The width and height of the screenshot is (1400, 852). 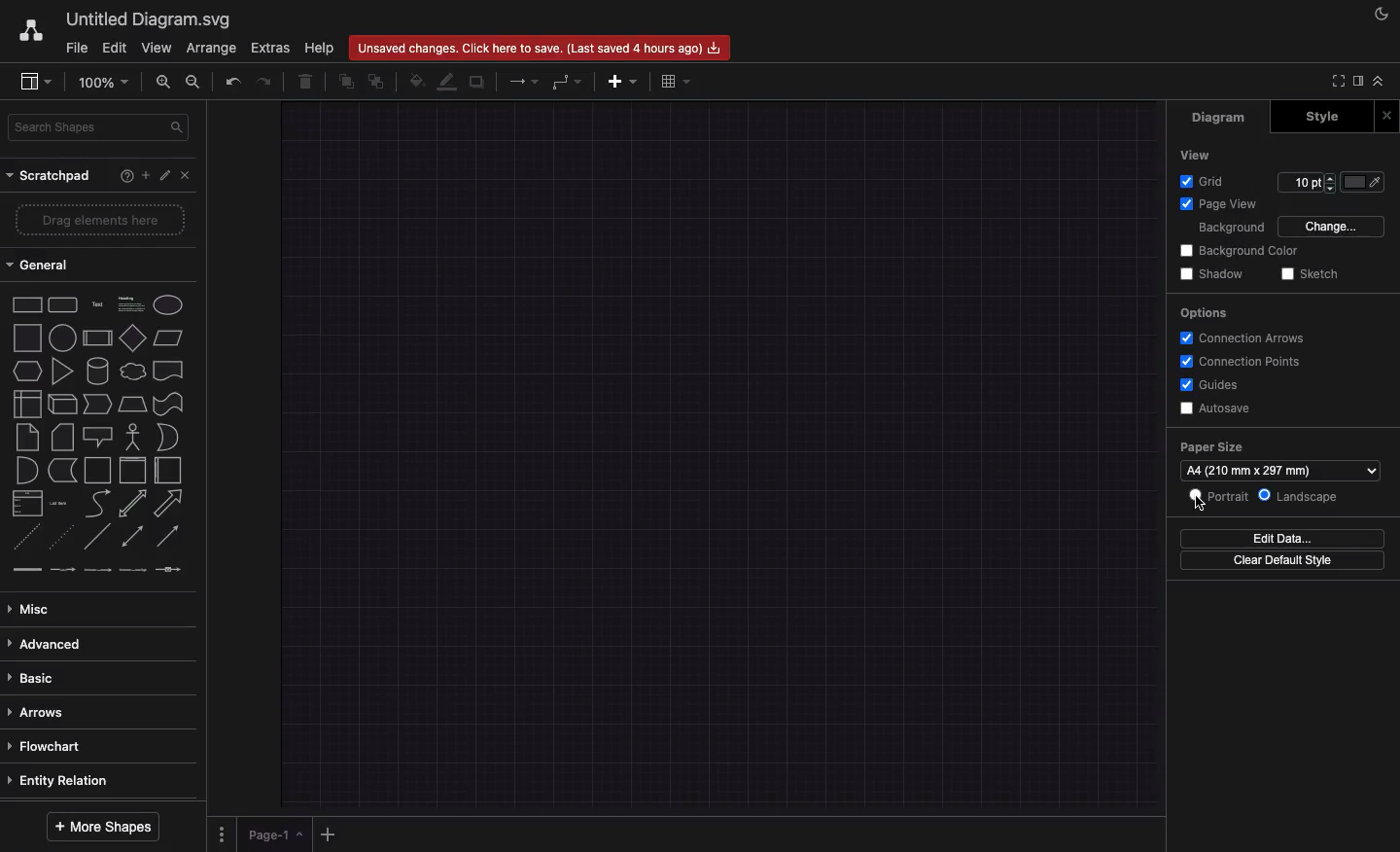 What do you see at coordinates (34, 81) in the screenshot?
I see `Sidebar` at bounding box center [34, 81].